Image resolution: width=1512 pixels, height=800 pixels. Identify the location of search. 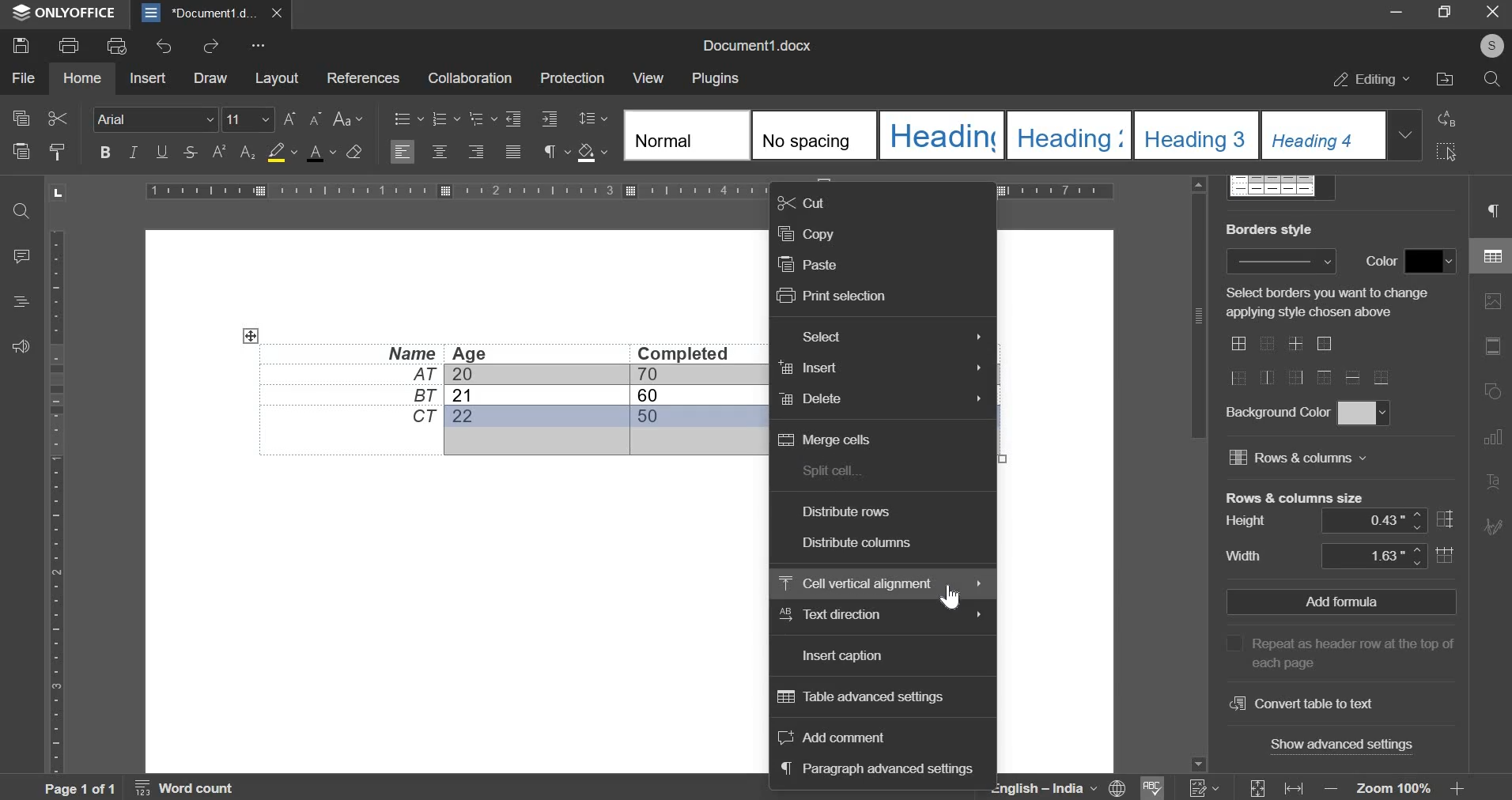
(1489, 81).